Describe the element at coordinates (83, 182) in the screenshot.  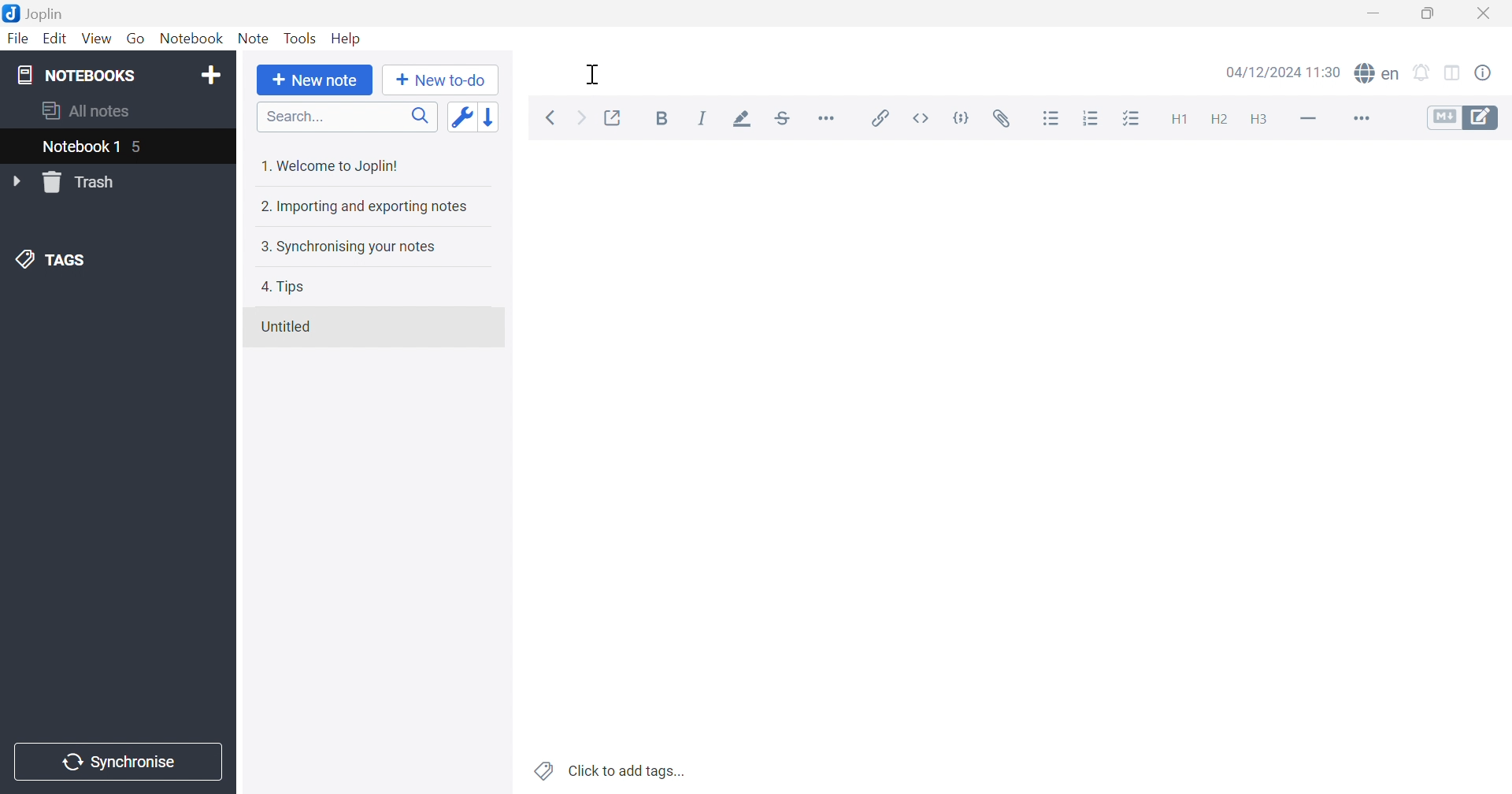
I see `Trash` at that location.